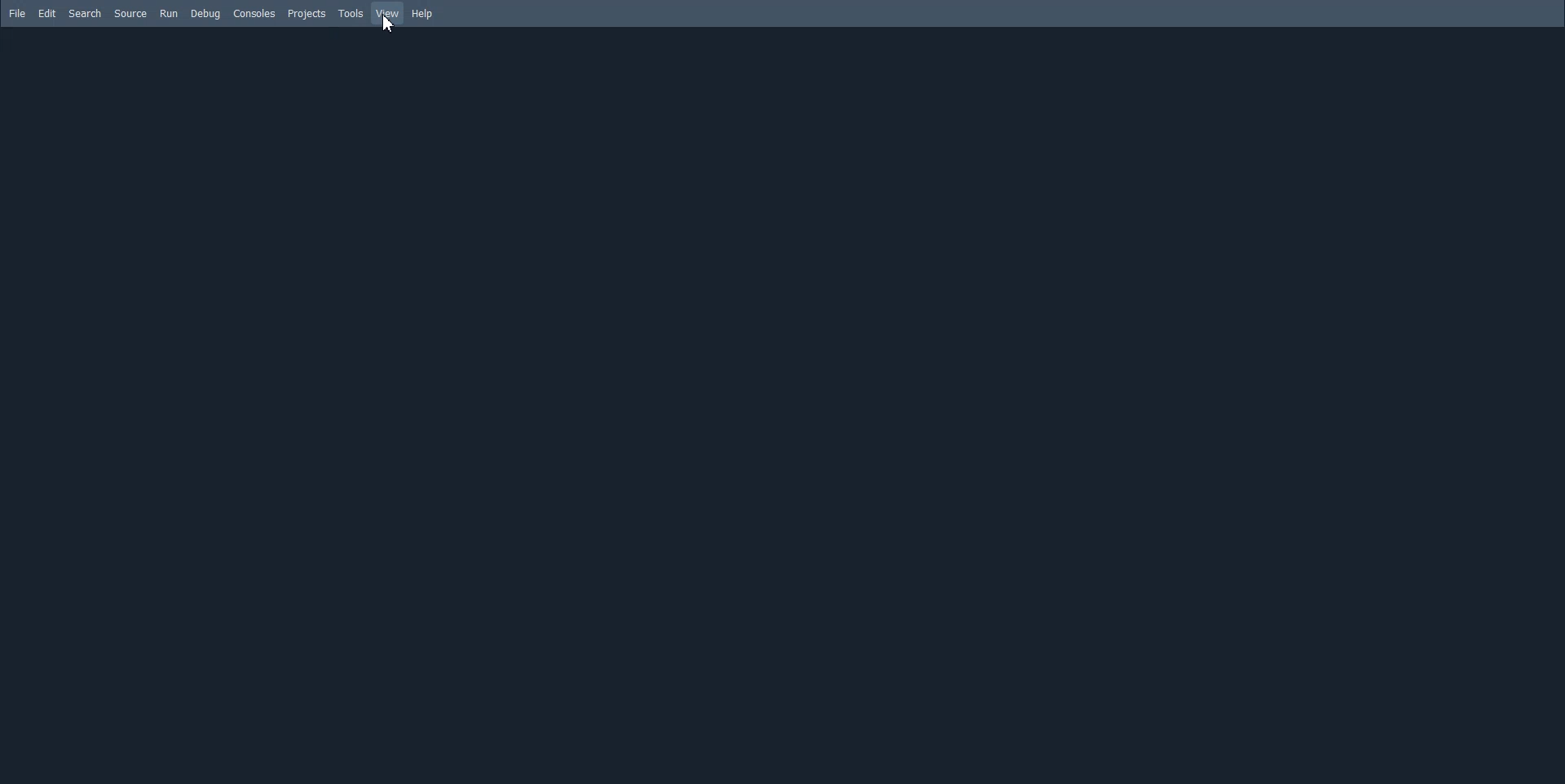  What do you see at coordinates (170, 14) in the screenshot?
I see `Run` at bounding box center [170, 14].